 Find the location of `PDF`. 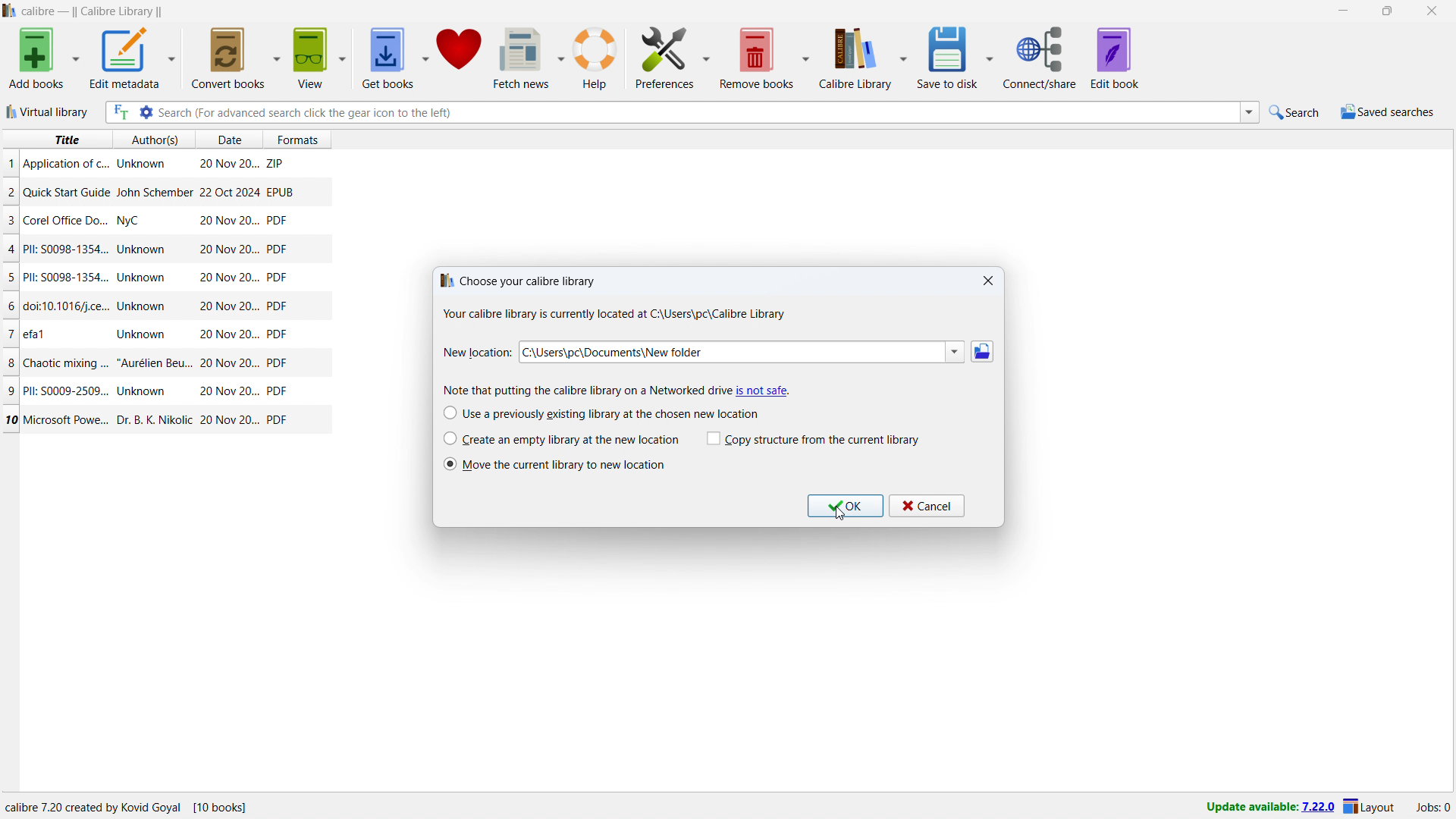

PDF is located at coordinates (277, 391).